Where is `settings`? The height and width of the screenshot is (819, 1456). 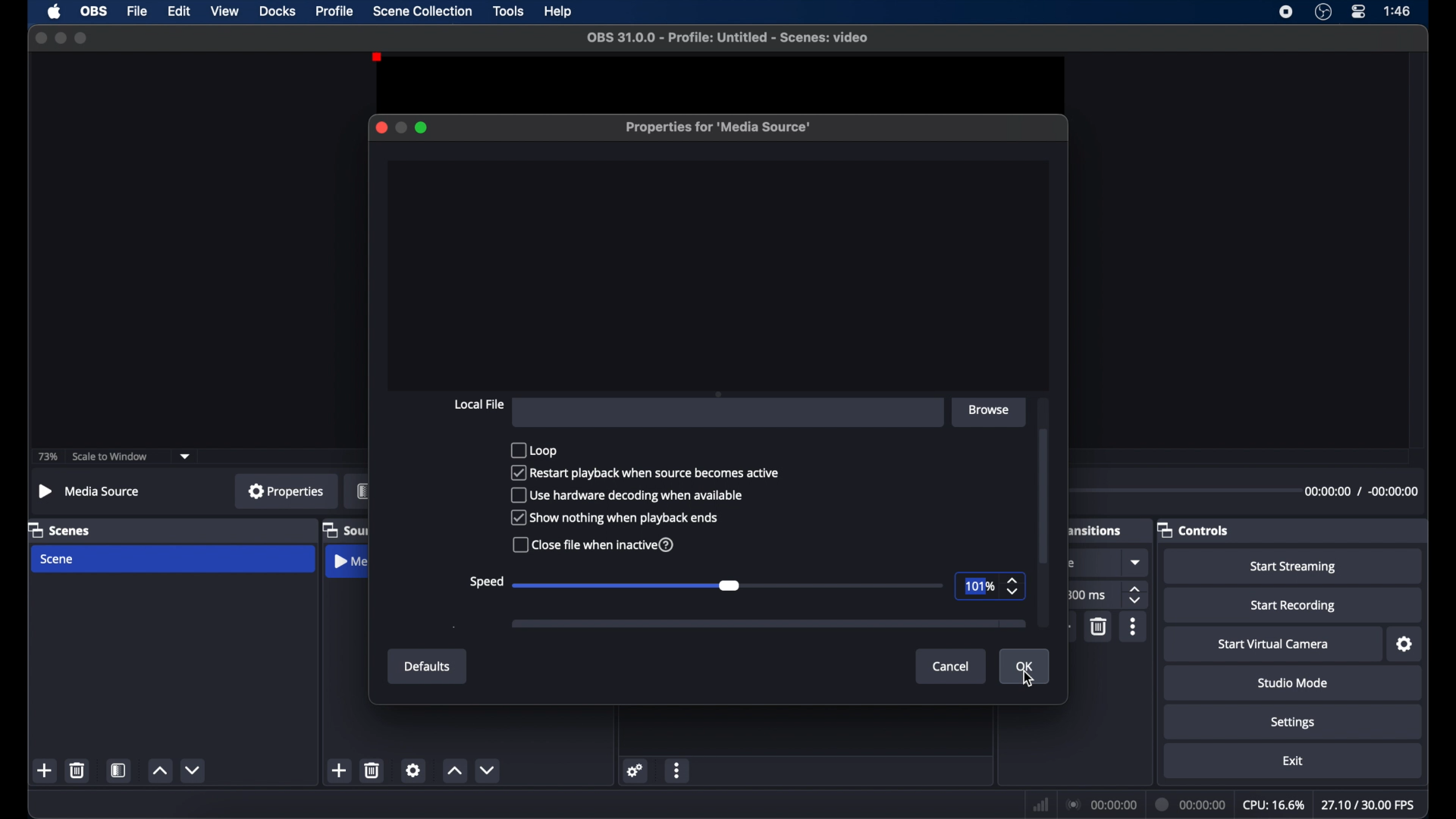 settings is located at coordinates (636, 770).